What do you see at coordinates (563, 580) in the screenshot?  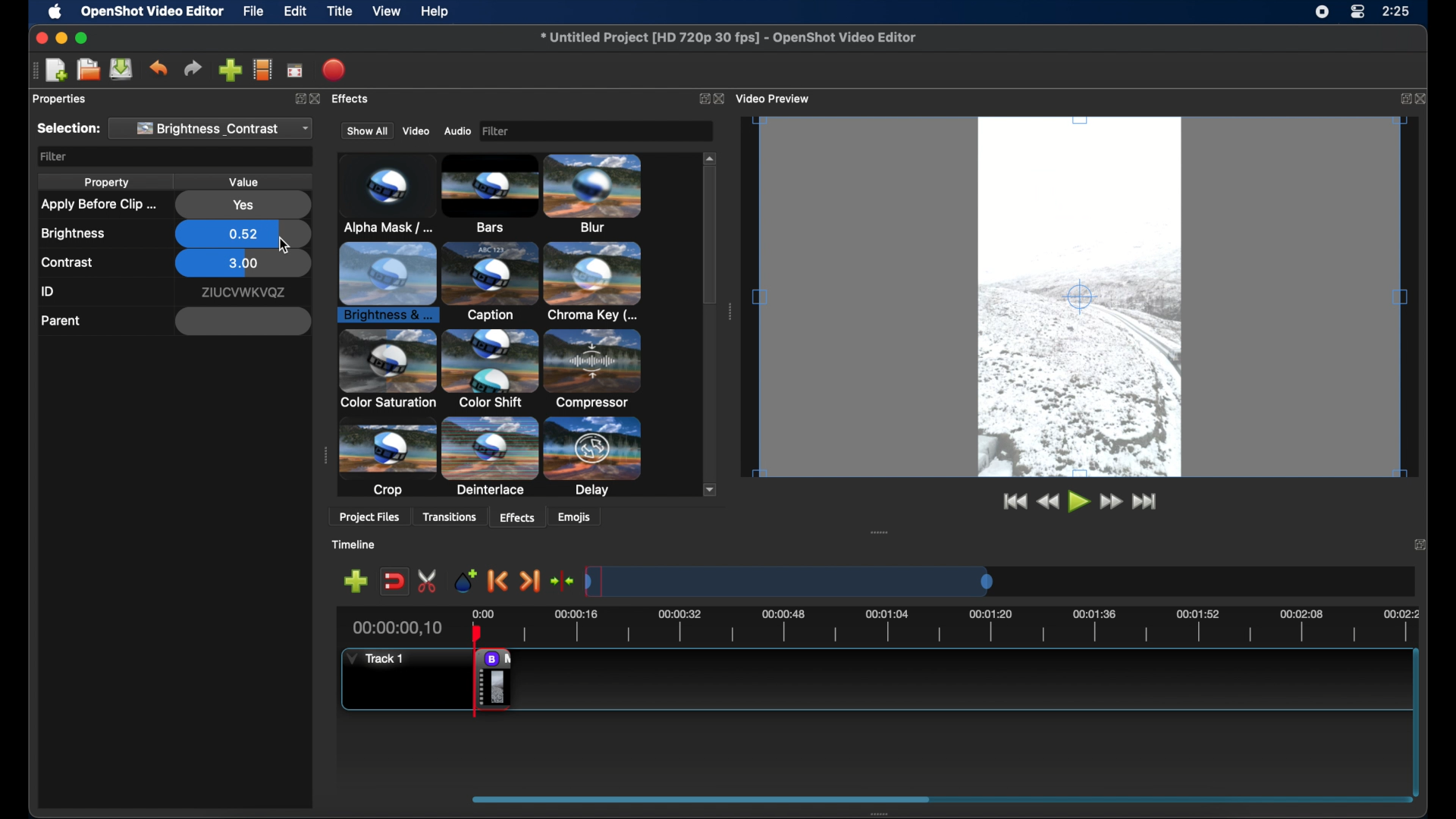 I see `center playhead on the timeline` at bounding box center [563, 580].